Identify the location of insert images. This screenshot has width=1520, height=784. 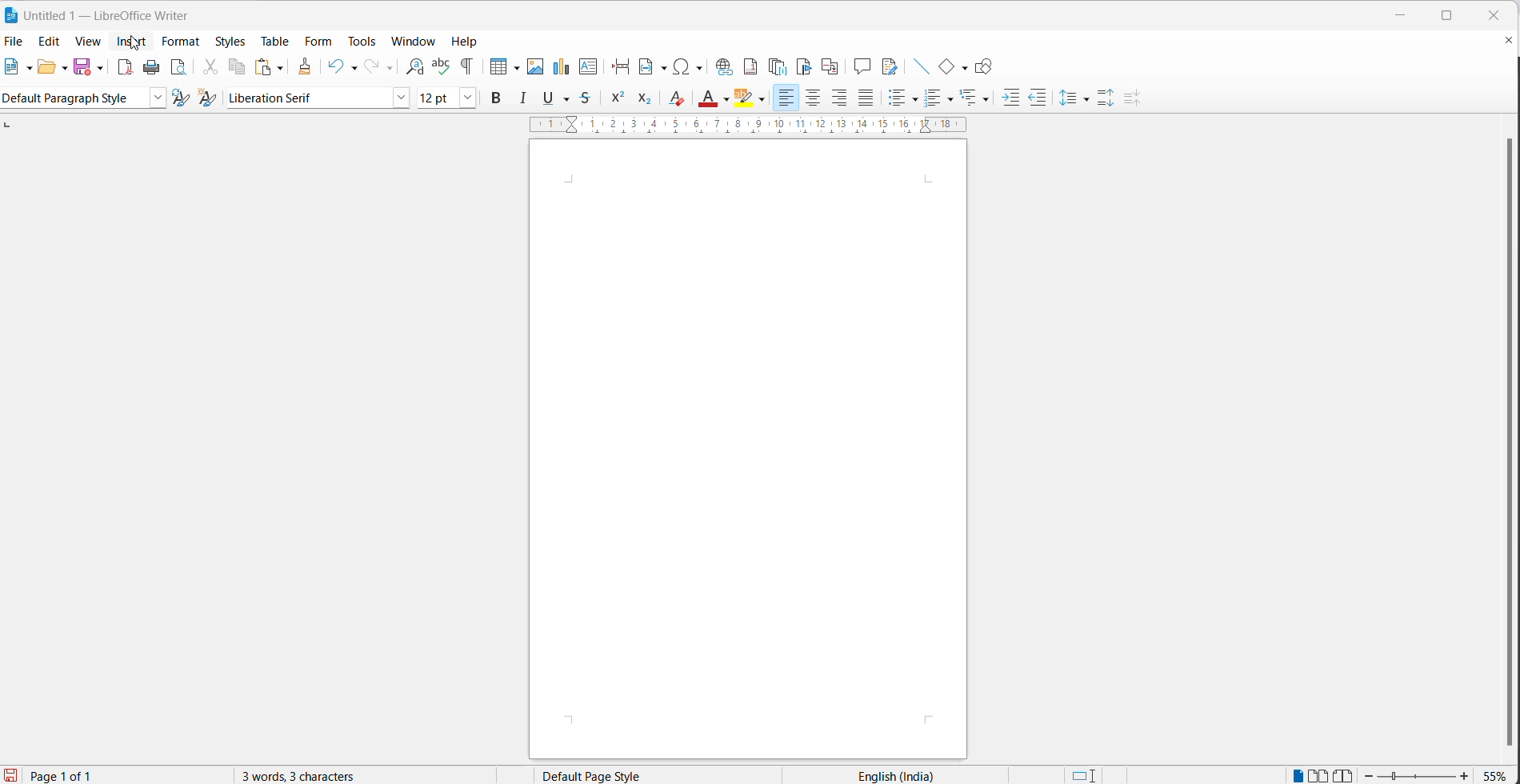
(535, 68).